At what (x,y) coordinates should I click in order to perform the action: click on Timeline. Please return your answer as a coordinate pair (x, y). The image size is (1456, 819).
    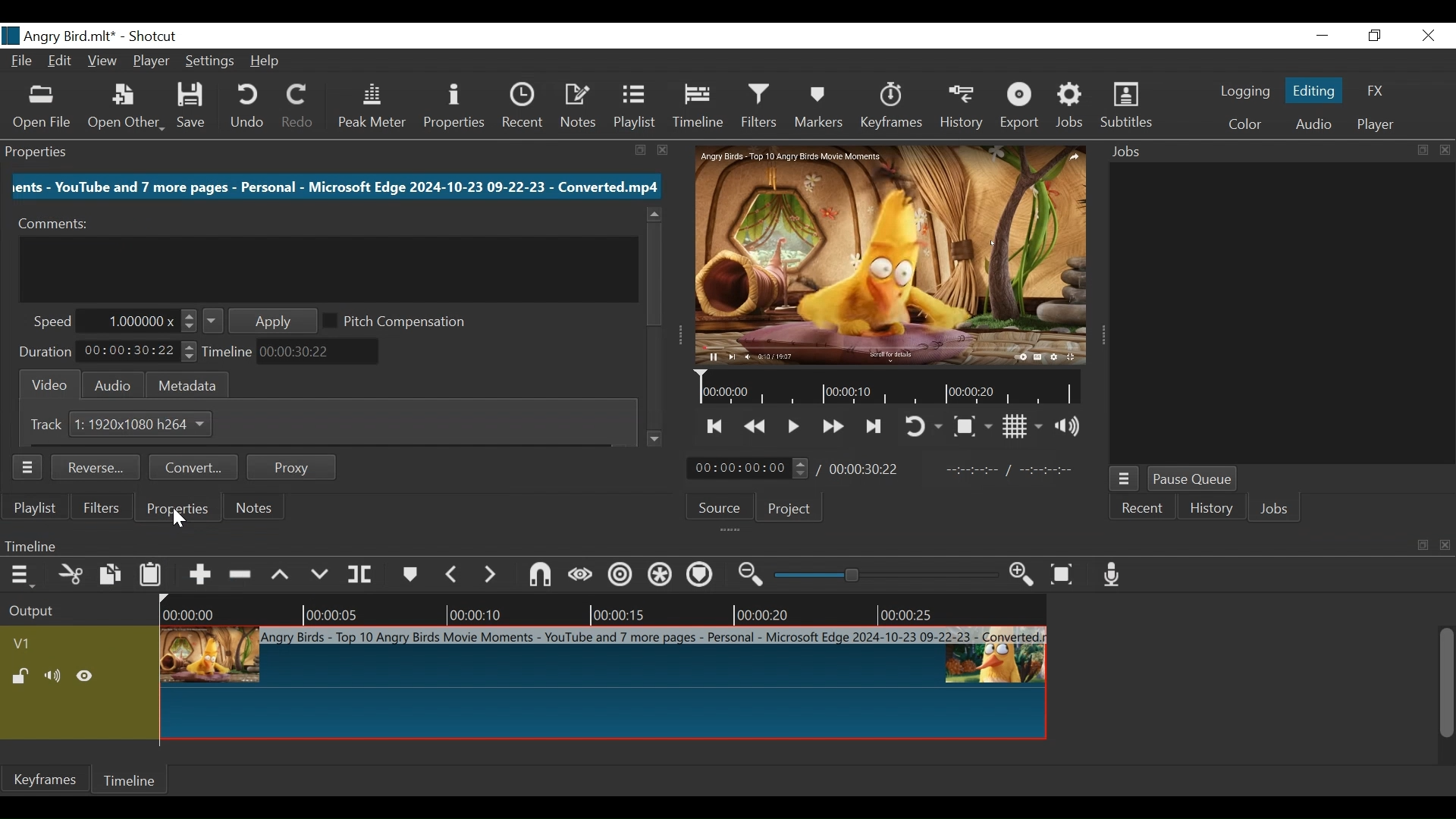
    Looking at the image, I should click on (131, 779).